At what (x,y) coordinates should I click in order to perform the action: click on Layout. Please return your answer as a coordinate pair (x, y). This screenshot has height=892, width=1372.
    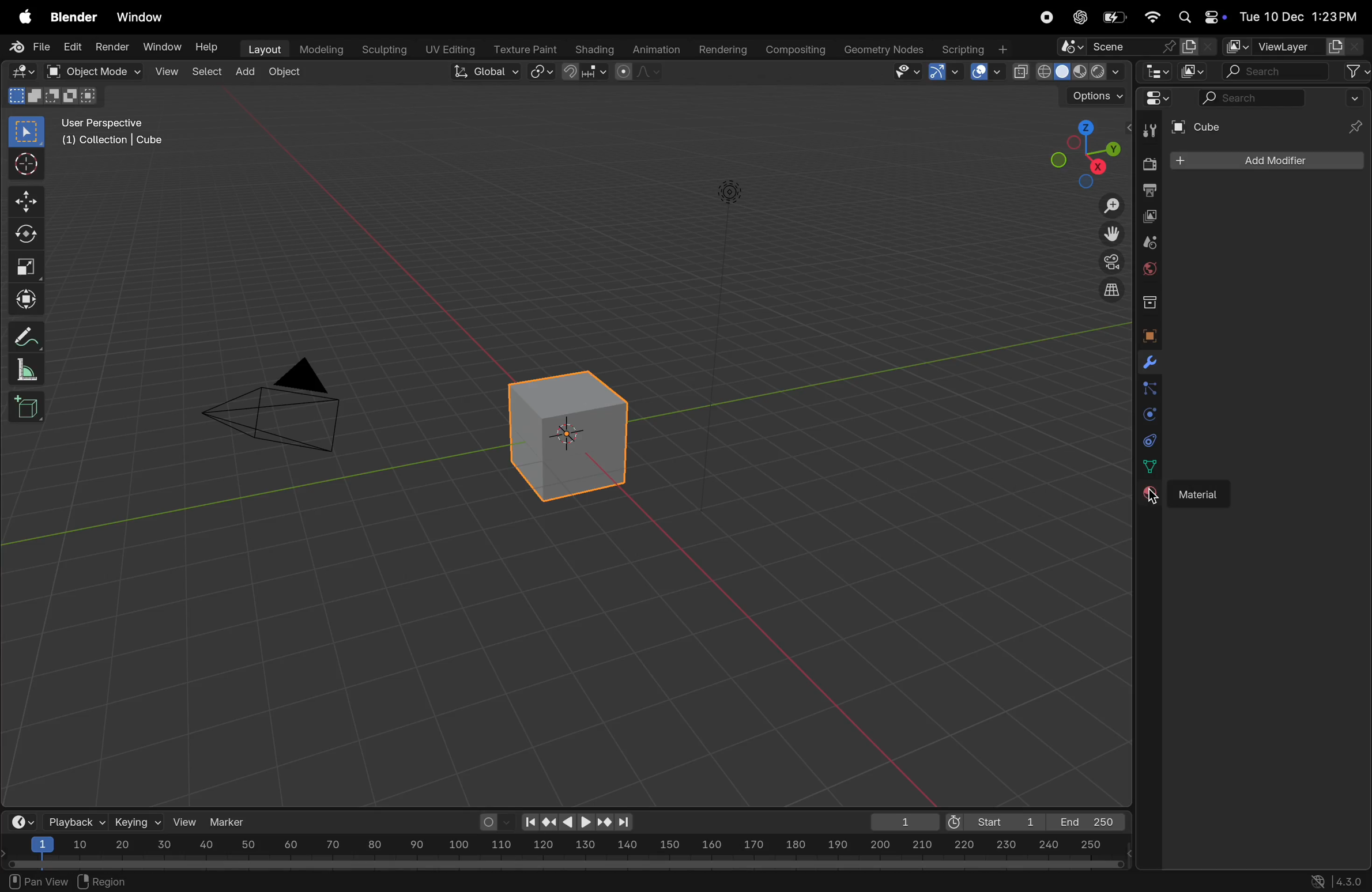
    Looking at the image, I should click on (262, 48).